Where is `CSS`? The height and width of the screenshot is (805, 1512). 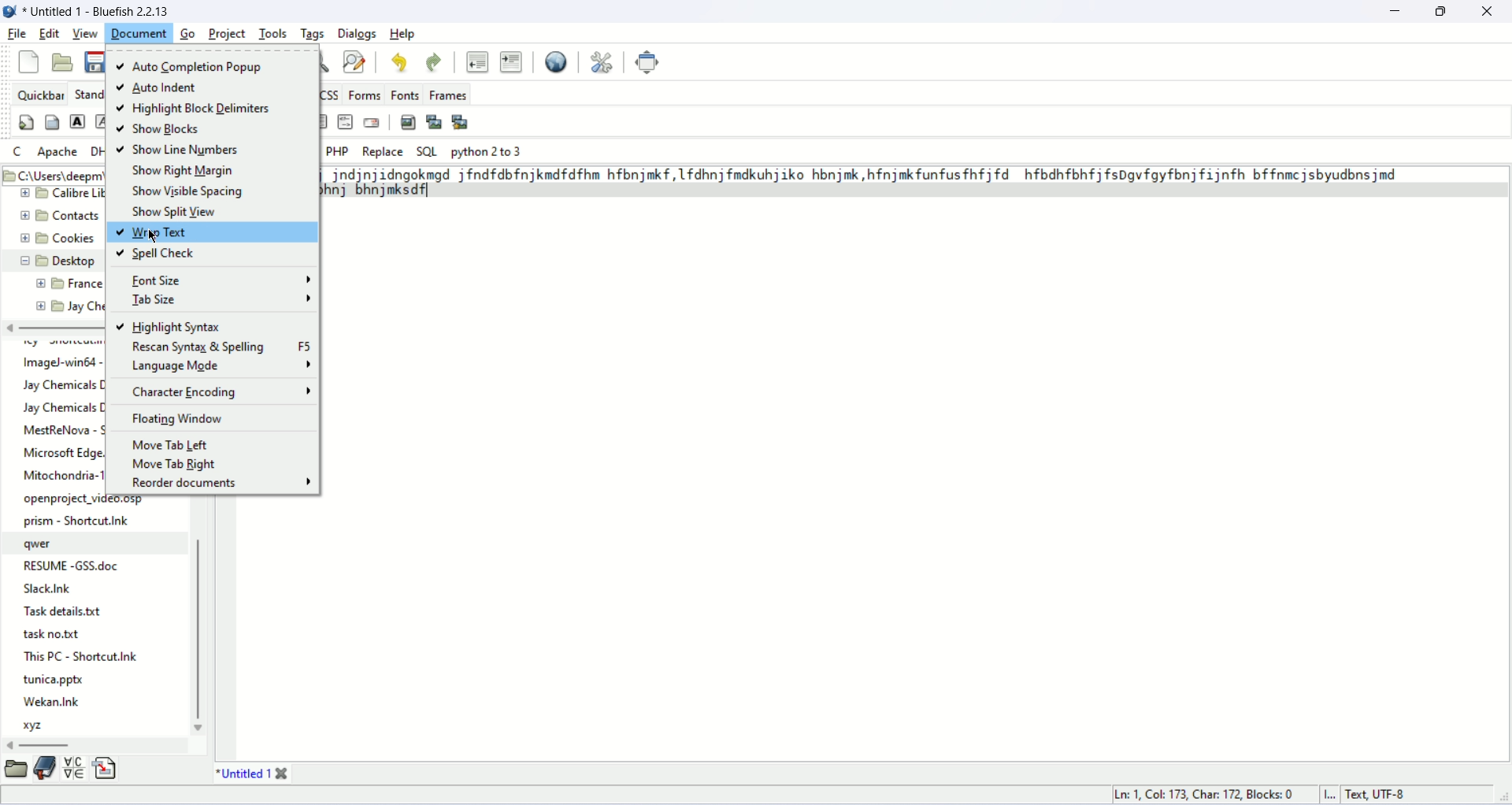 CSS is located at coordinates (331, 95).